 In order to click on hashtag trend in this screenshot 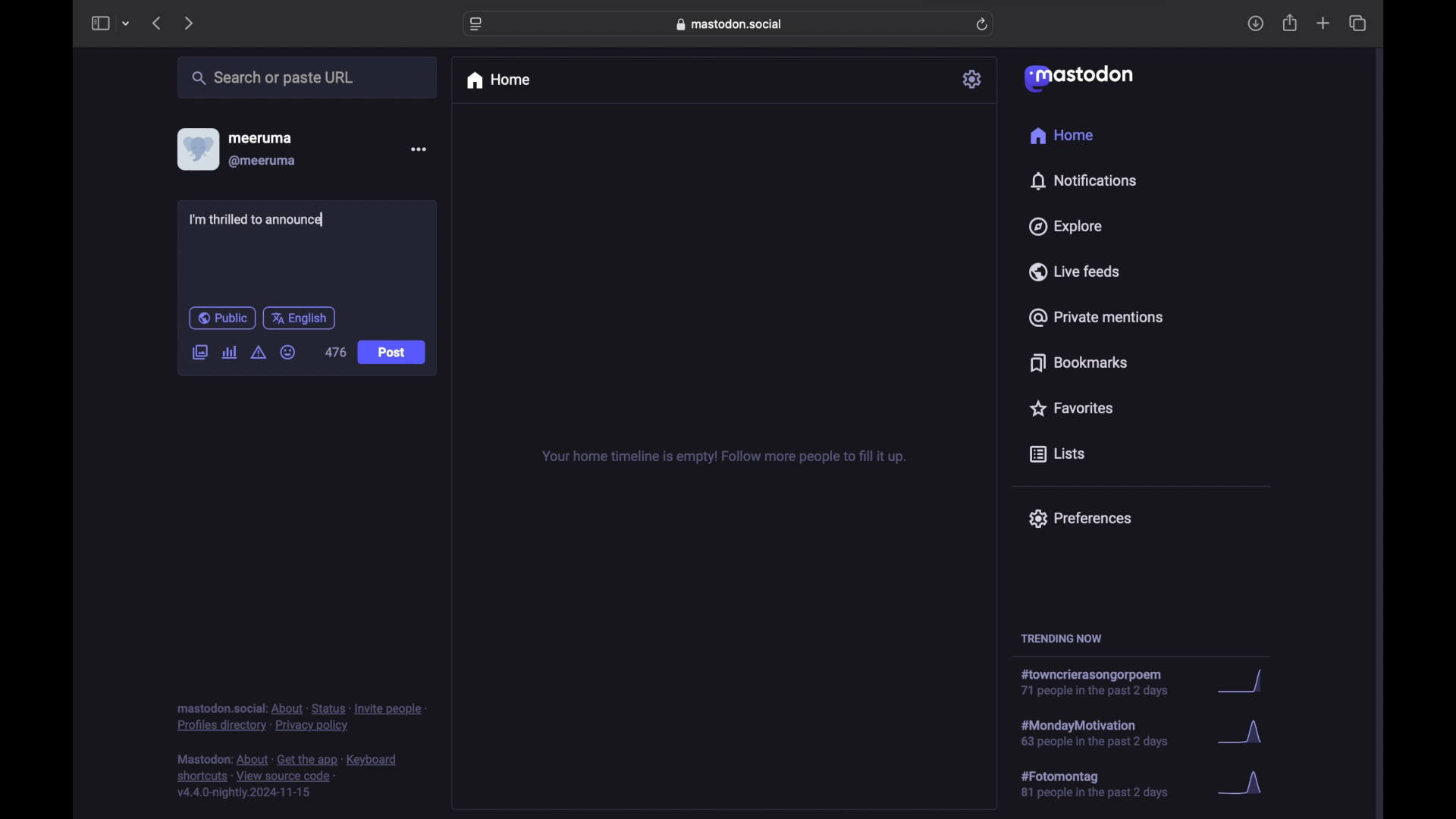, I will do `click(1105, 783)`.